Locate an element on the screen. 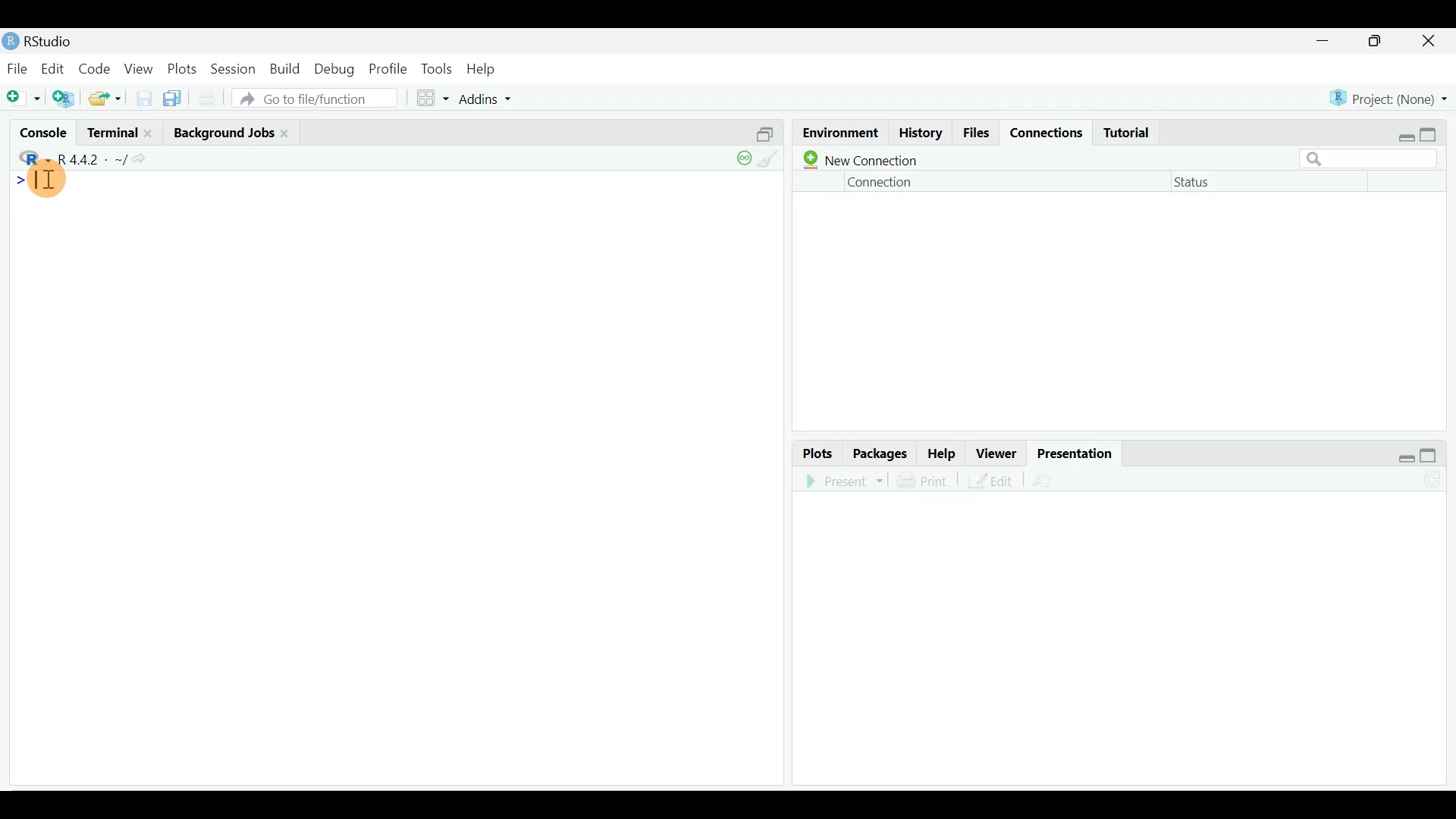  Search bar is located at coordinates (1370, 159).